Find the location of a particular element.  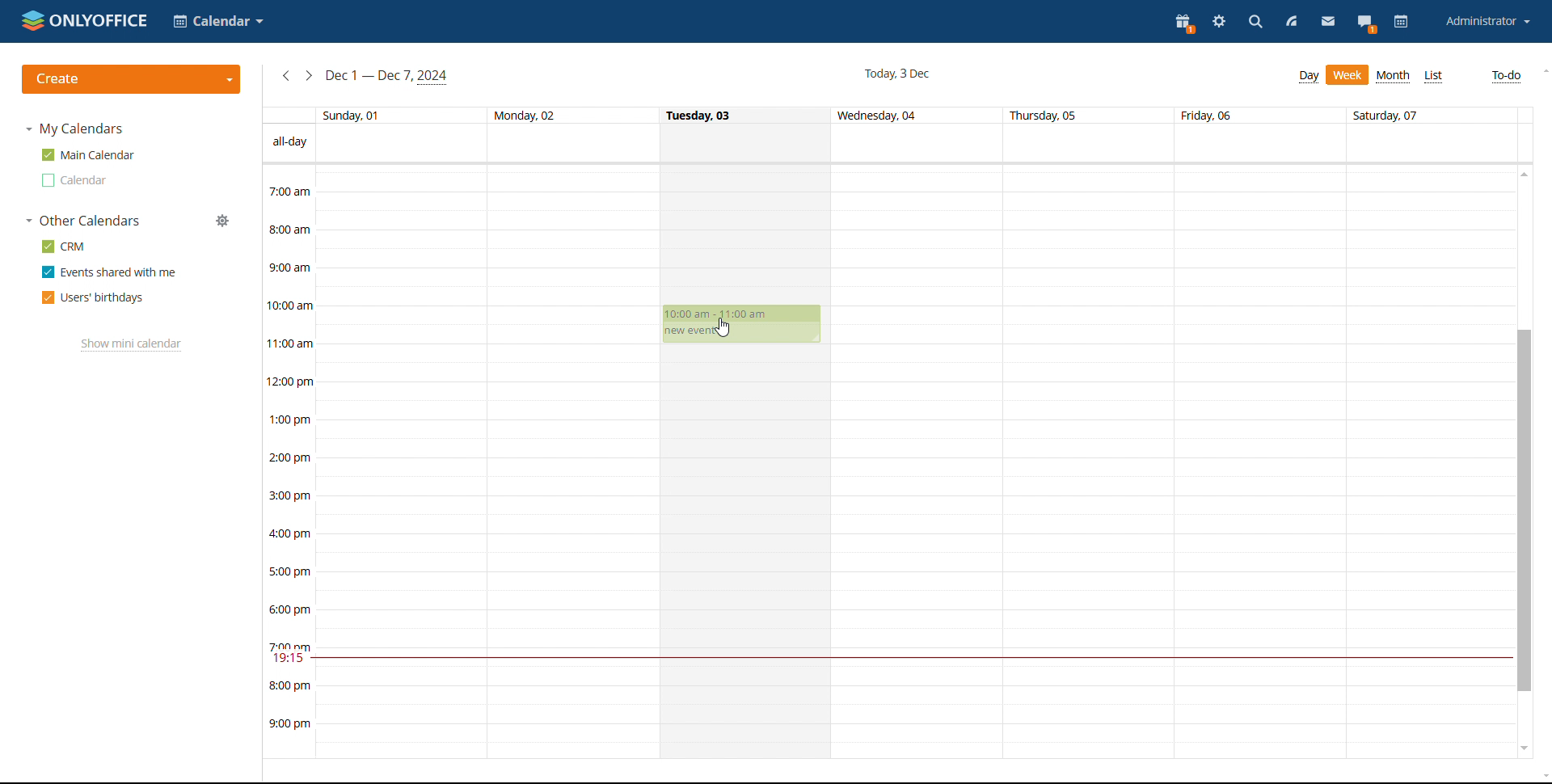

next week is located at coordinates (310, 76).